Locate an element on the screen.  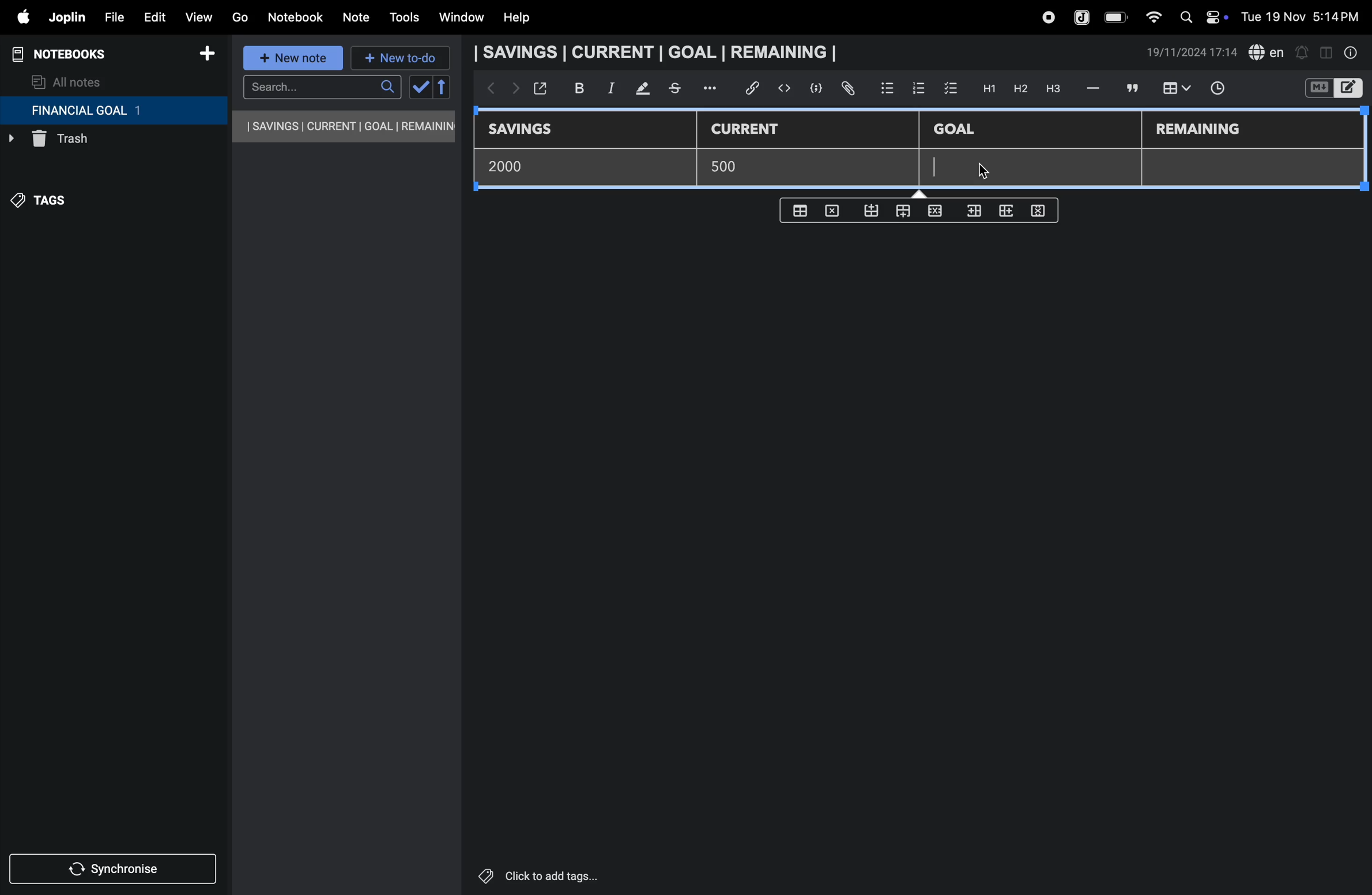
bullet list is located at coordinates (887, 87).